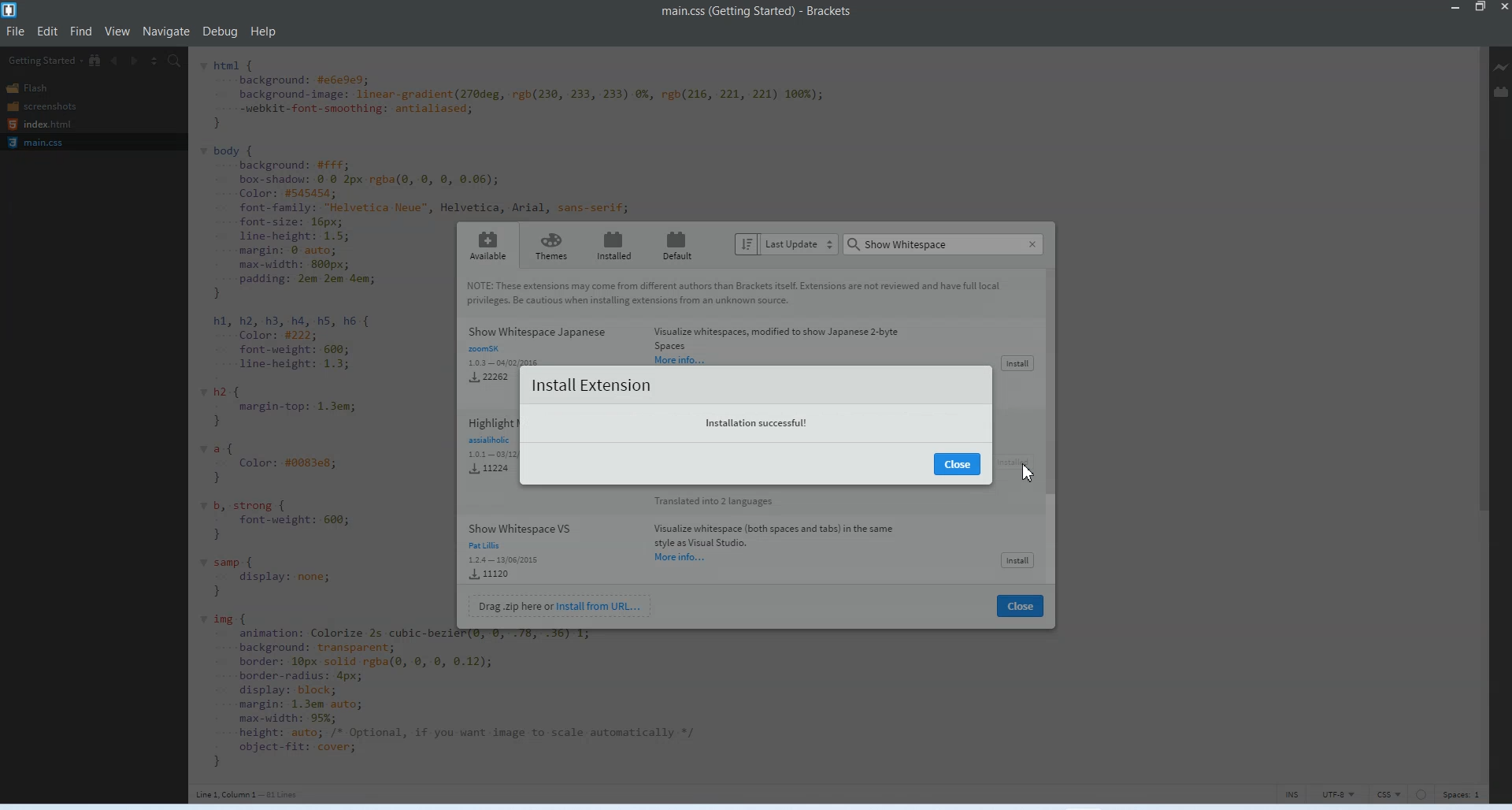 Image resolution: width=1512 pixels, height=810 pixels. Describe the element at coordinates (250, 793) in the screenshot. I see `Text 3` at that location.